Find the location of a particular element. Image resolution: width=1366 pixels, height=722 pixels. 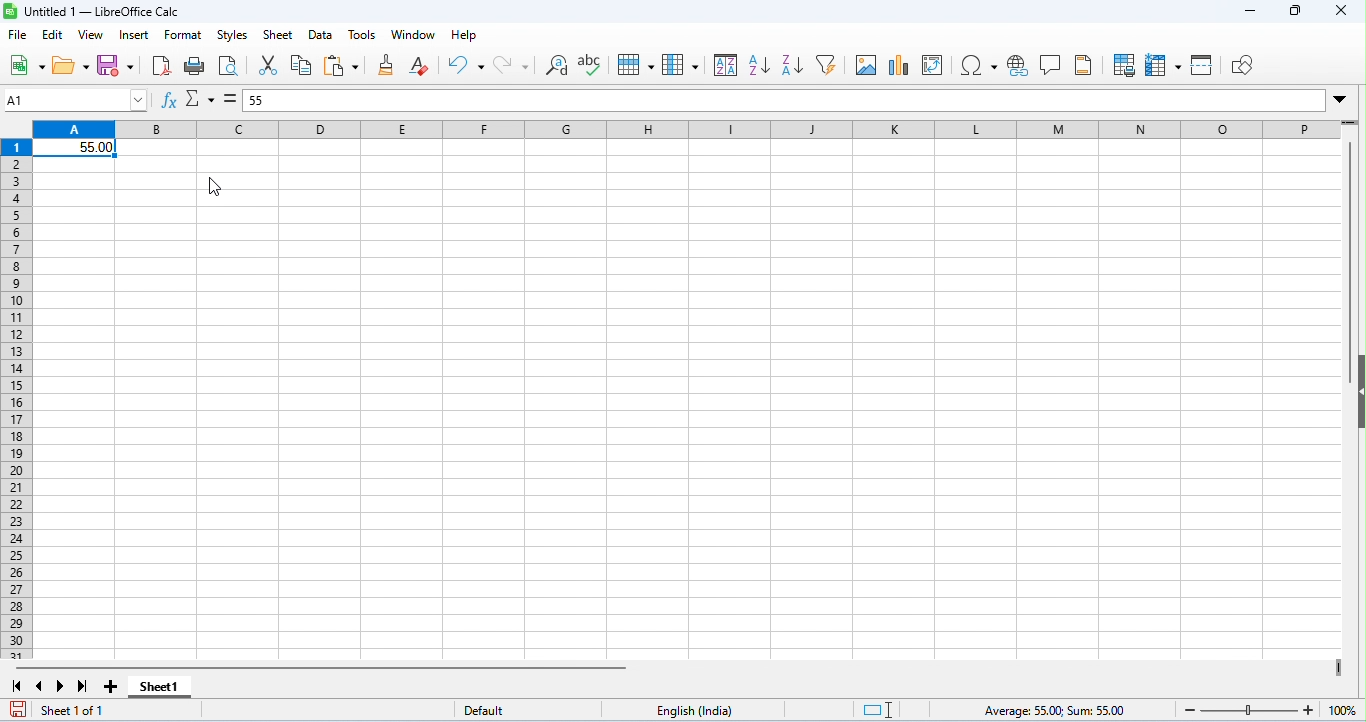

pivot table is located at coordinates (935, 66).